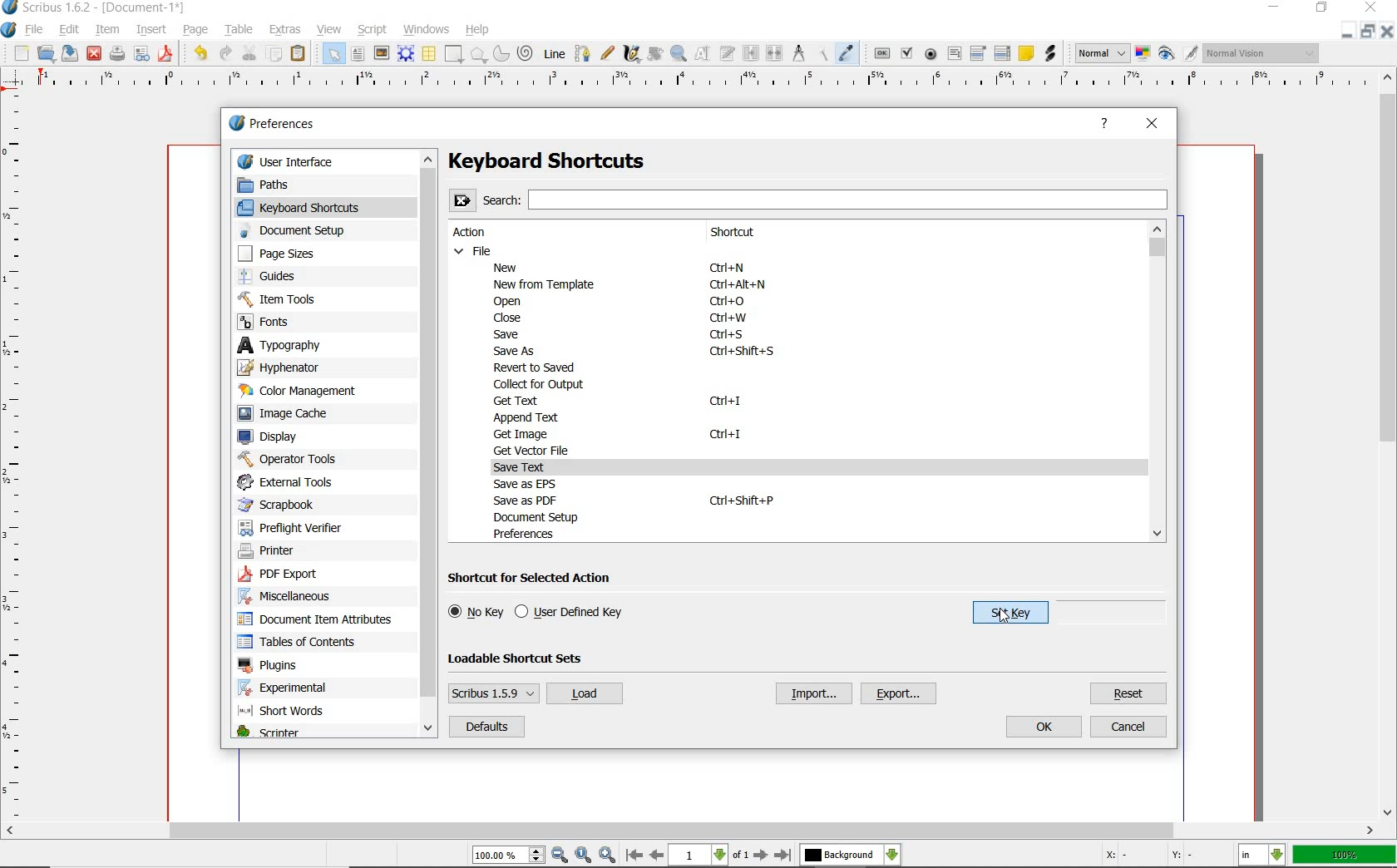 The height and width of the screenshot is (868, 1397). Describe the element at coordinates (1156, 858) in the screenshot. I see `coordinates` at that location.